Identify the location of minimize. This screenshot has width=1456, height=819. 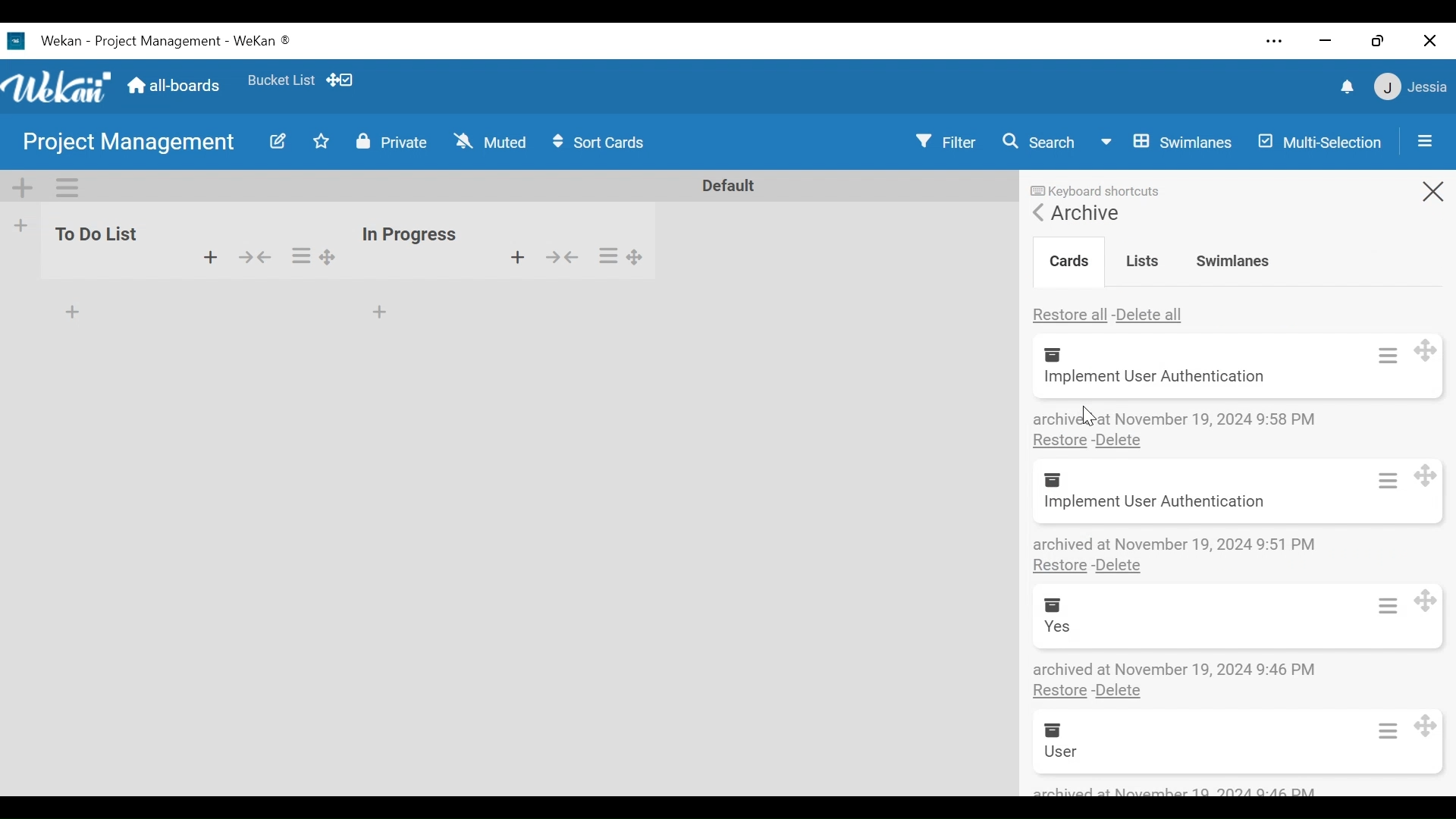
(1325, 42).